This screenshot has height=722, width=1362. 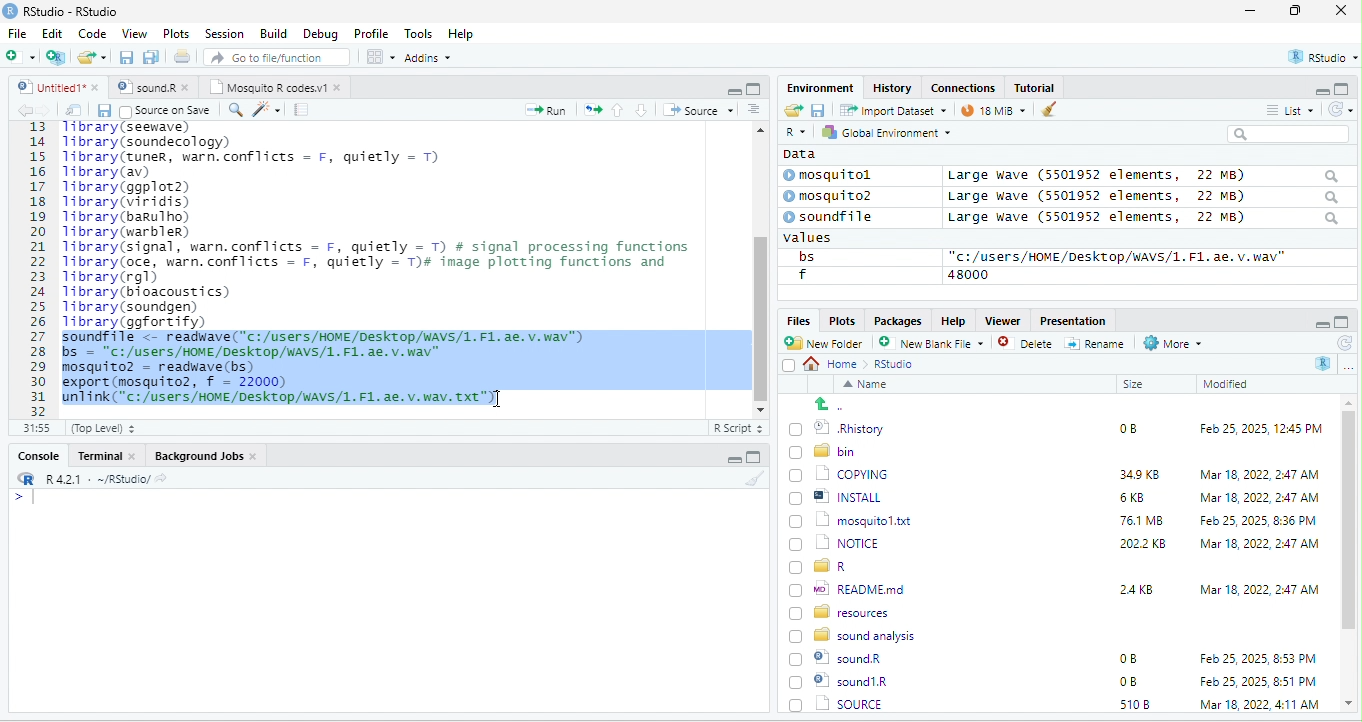 What do you see at coordinates (1071, 320) in the screenshot?
I see `Presentation` at bounding box center [1071, 320].